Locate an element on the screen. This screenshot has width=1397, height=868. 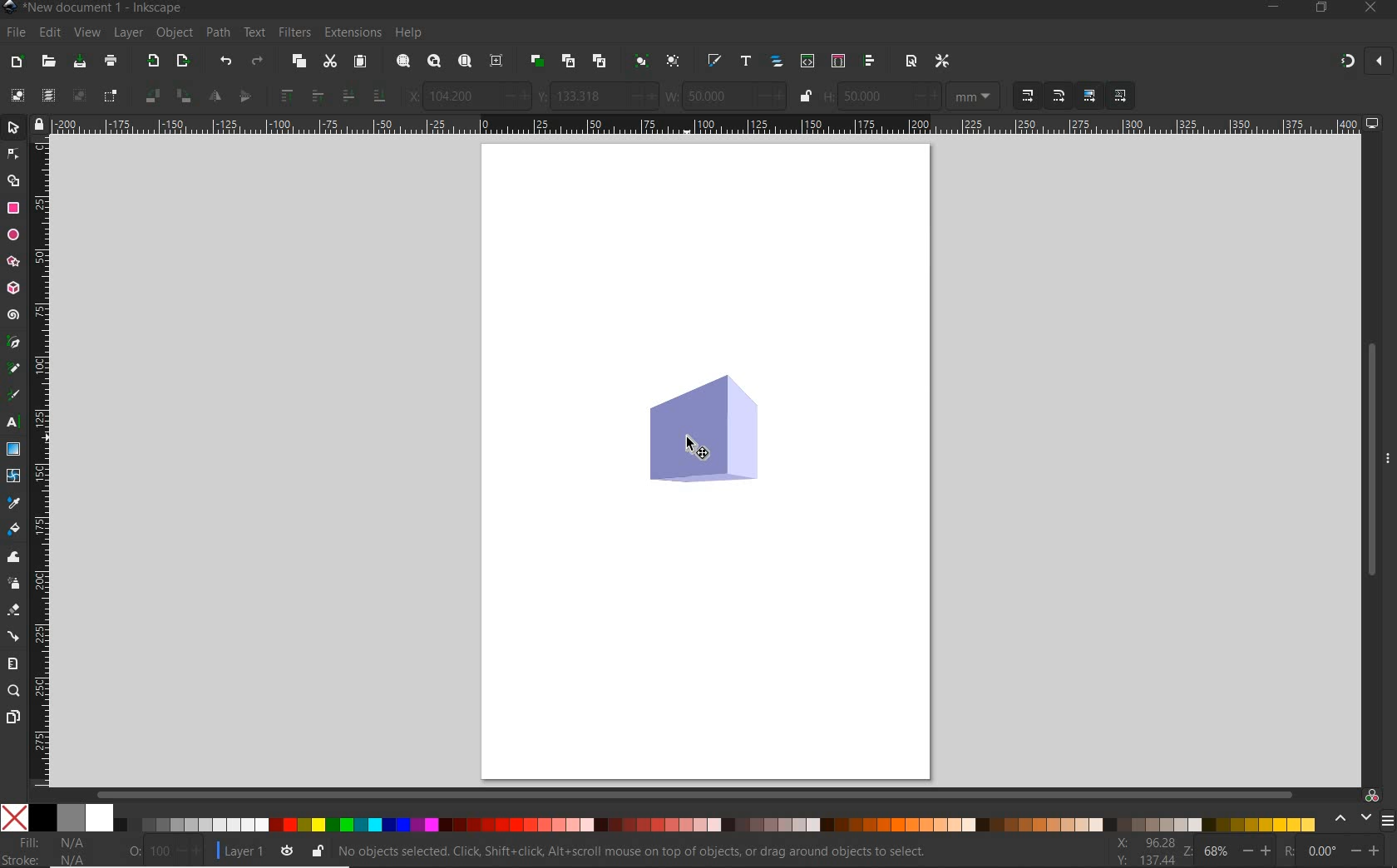
pencil tool is located at coordinates (11, 369).